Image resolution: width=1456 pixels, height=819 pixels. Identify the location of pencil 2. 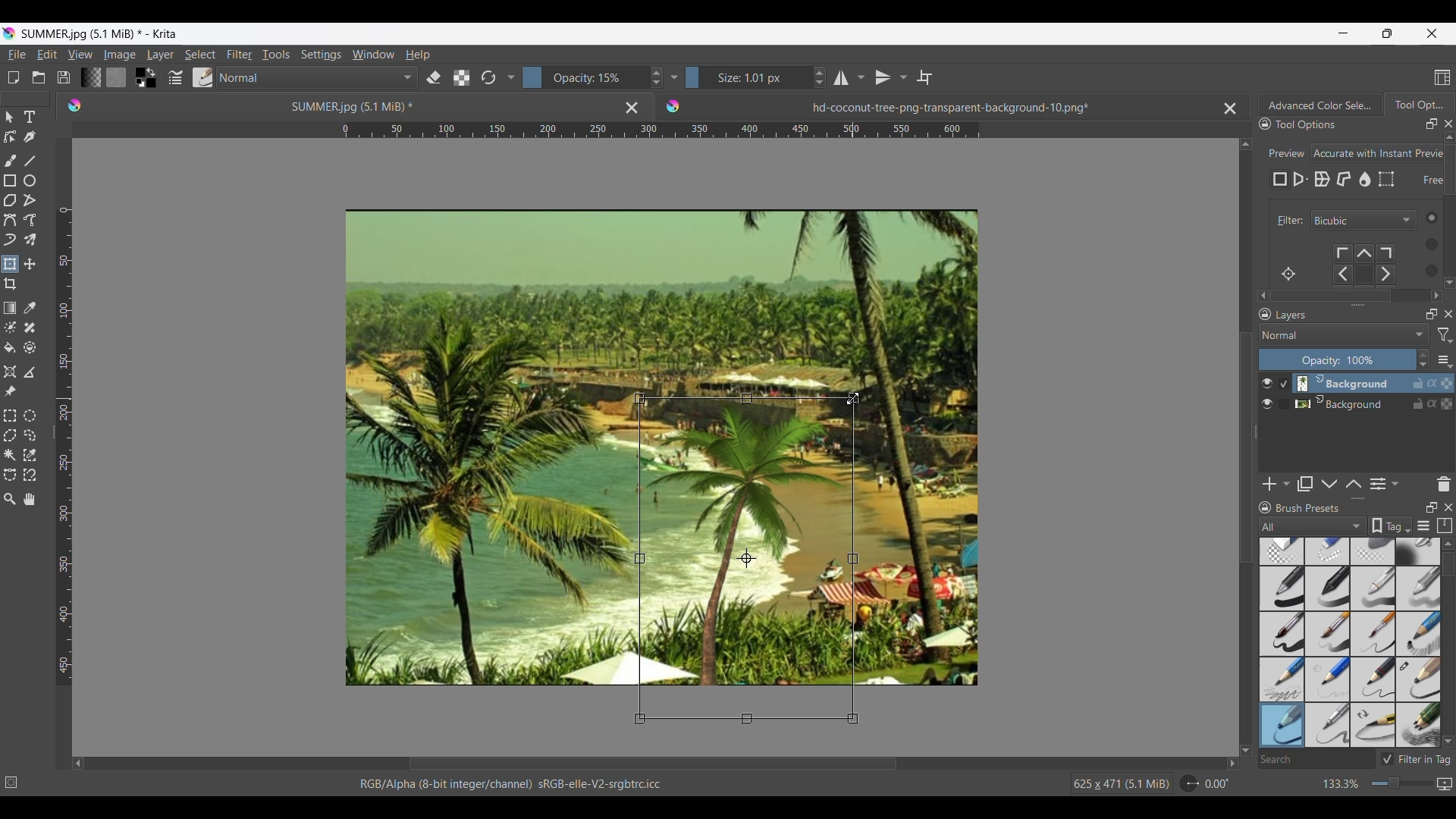
(1374, 679).